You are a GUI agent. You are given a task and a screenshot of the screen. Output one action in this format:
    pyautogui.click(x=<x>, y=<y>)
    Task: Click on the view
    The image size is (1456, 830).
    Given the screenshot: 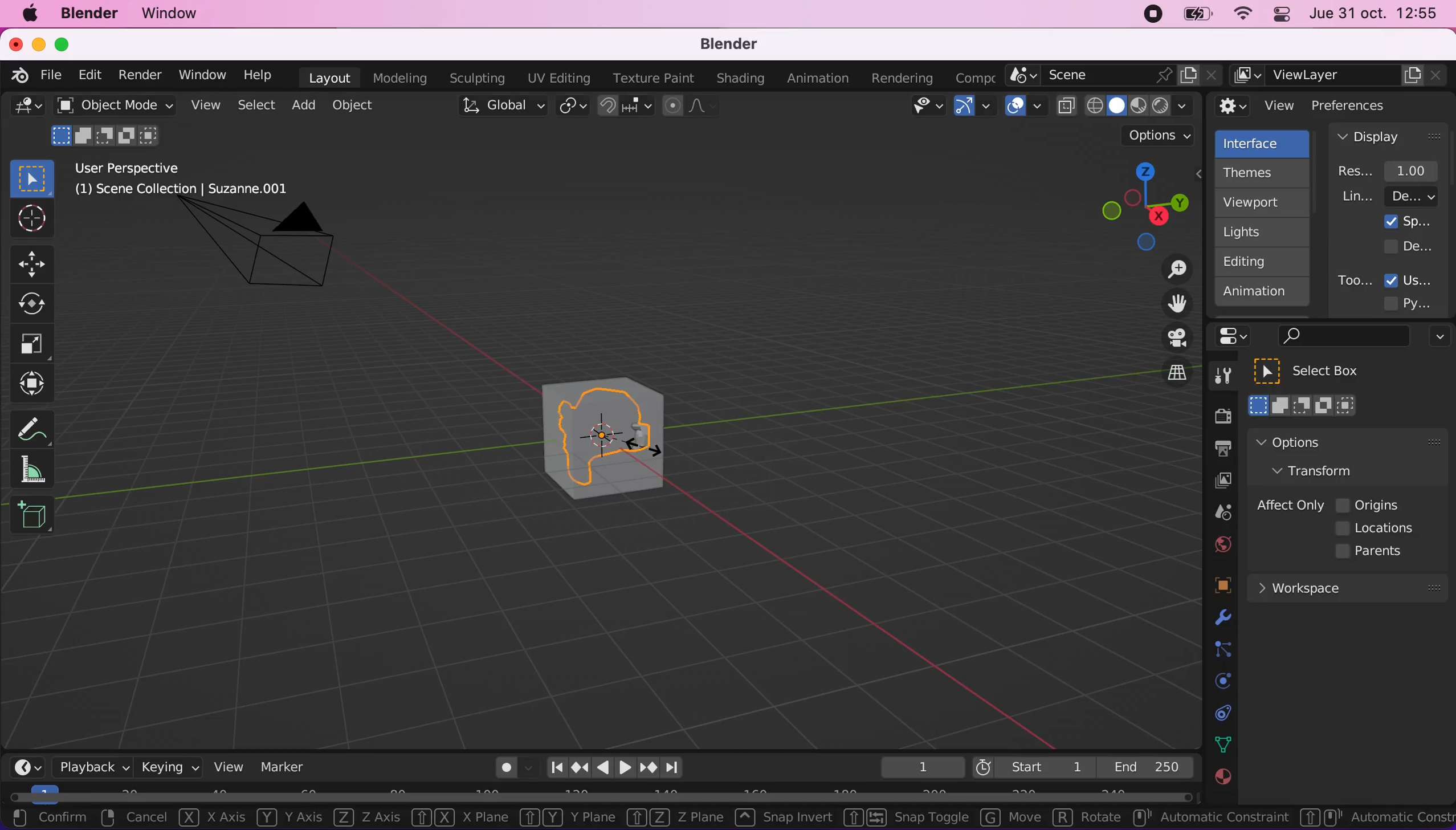 What is the action you would take?
    pyautogui.click(x=203, y=105)
    